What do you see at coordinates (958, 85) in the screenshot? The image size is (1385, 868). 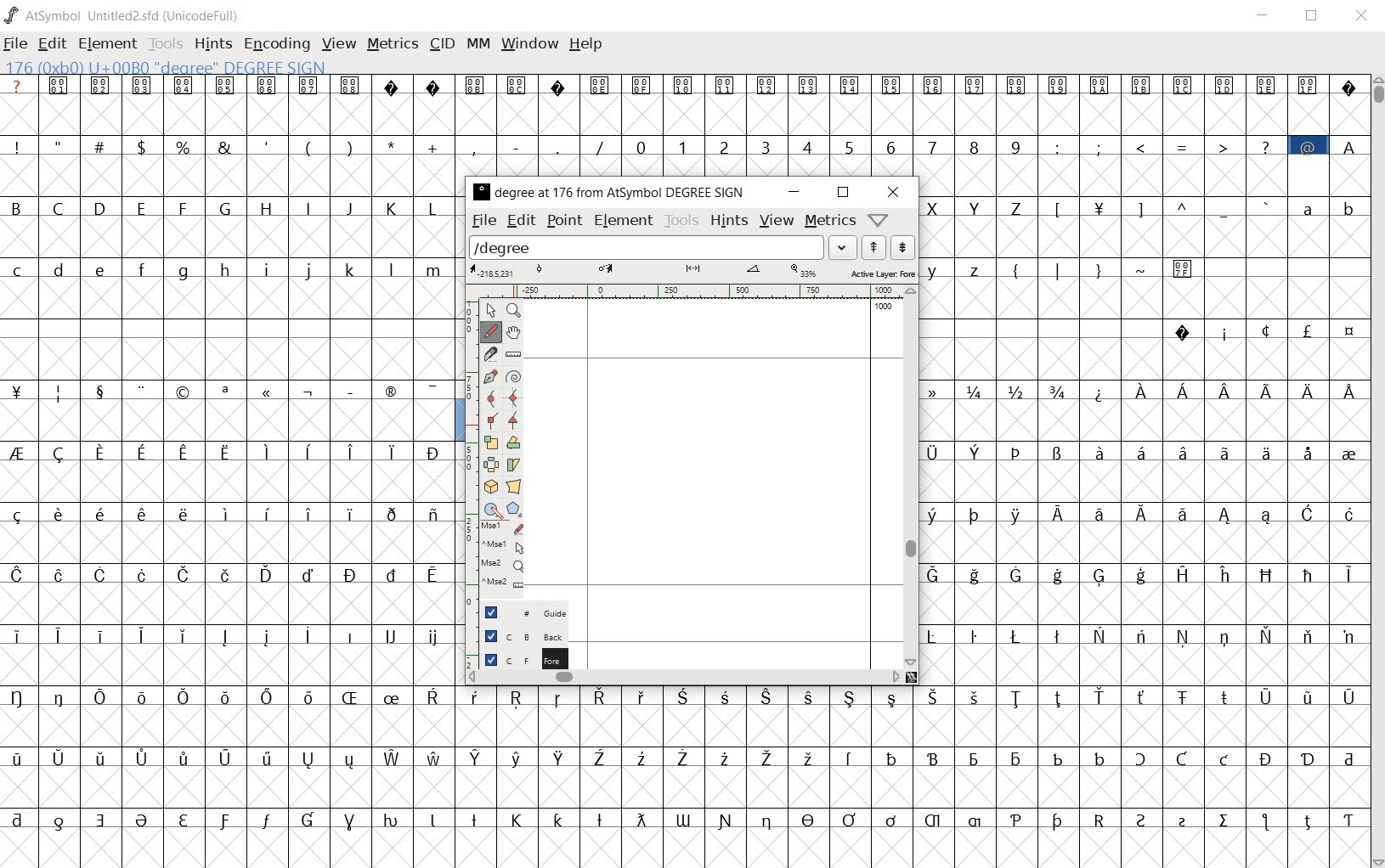 I see `unicode code points` at bounding box center [958, 85].